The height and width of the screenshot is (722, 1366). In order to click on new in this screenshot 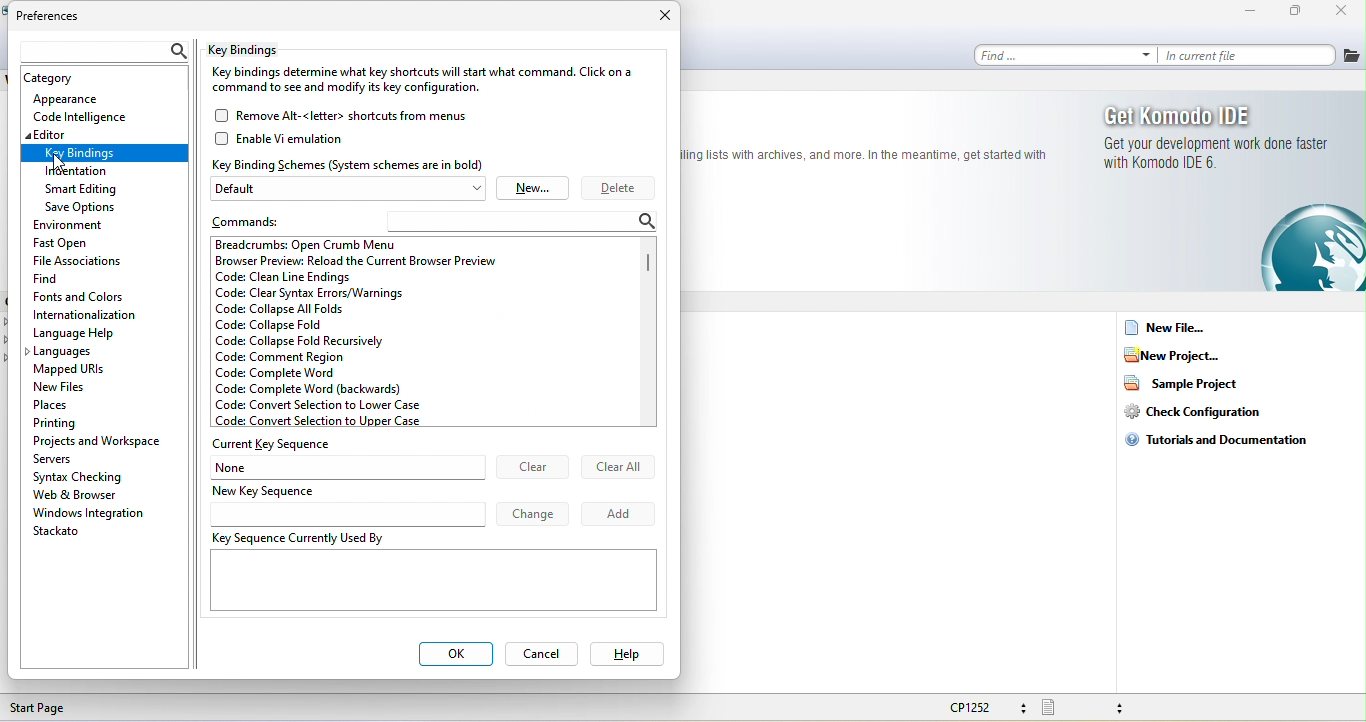, I will do `click(533, 188)`.